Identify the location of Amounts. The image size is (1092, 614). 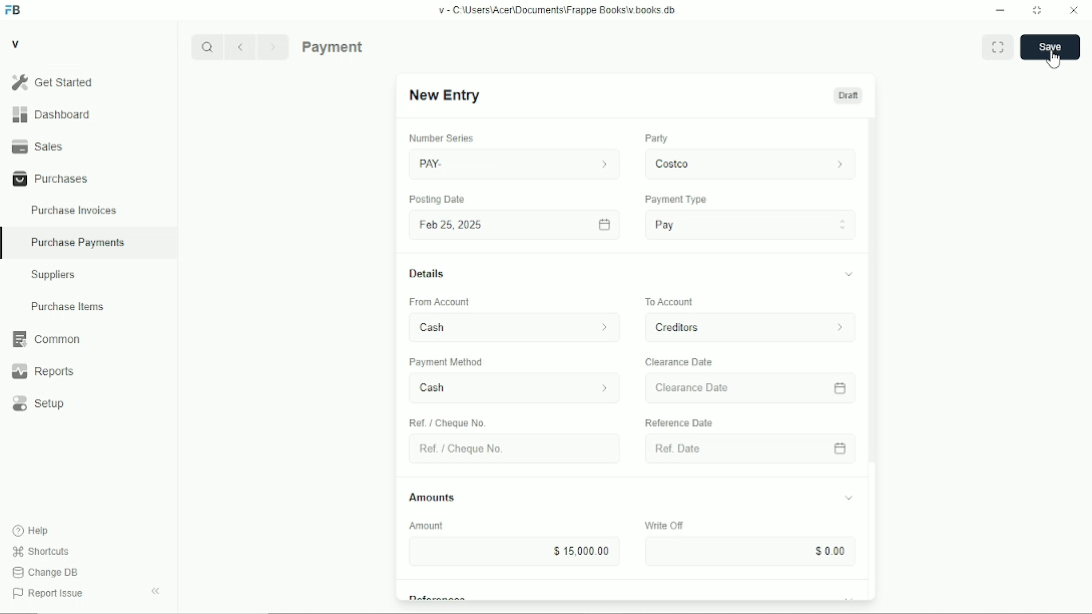
(432, 497).